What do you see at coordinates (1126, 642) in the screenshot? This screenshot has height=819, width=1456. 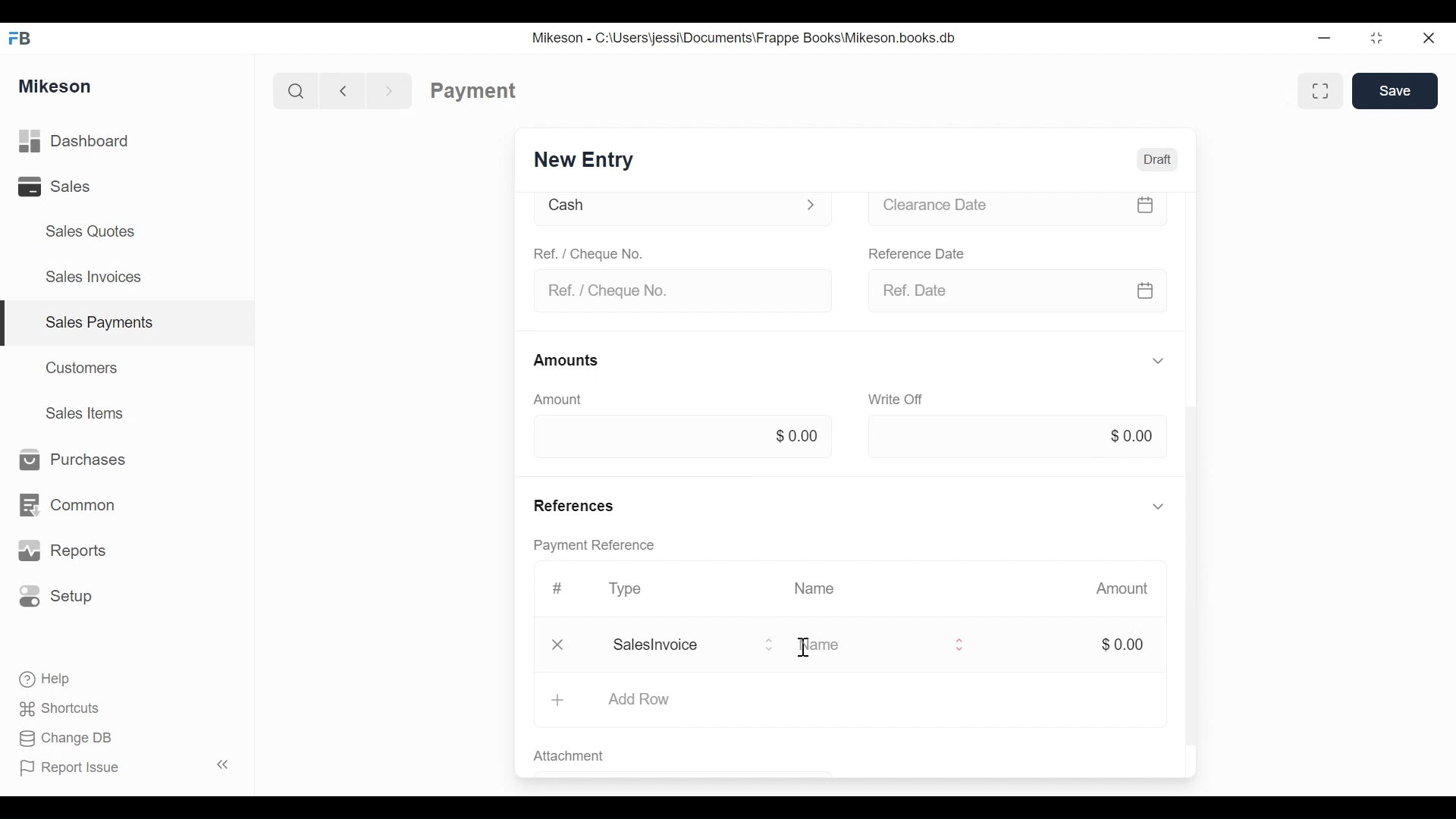 I see `$0.00` at bounding box center [1126, 642].